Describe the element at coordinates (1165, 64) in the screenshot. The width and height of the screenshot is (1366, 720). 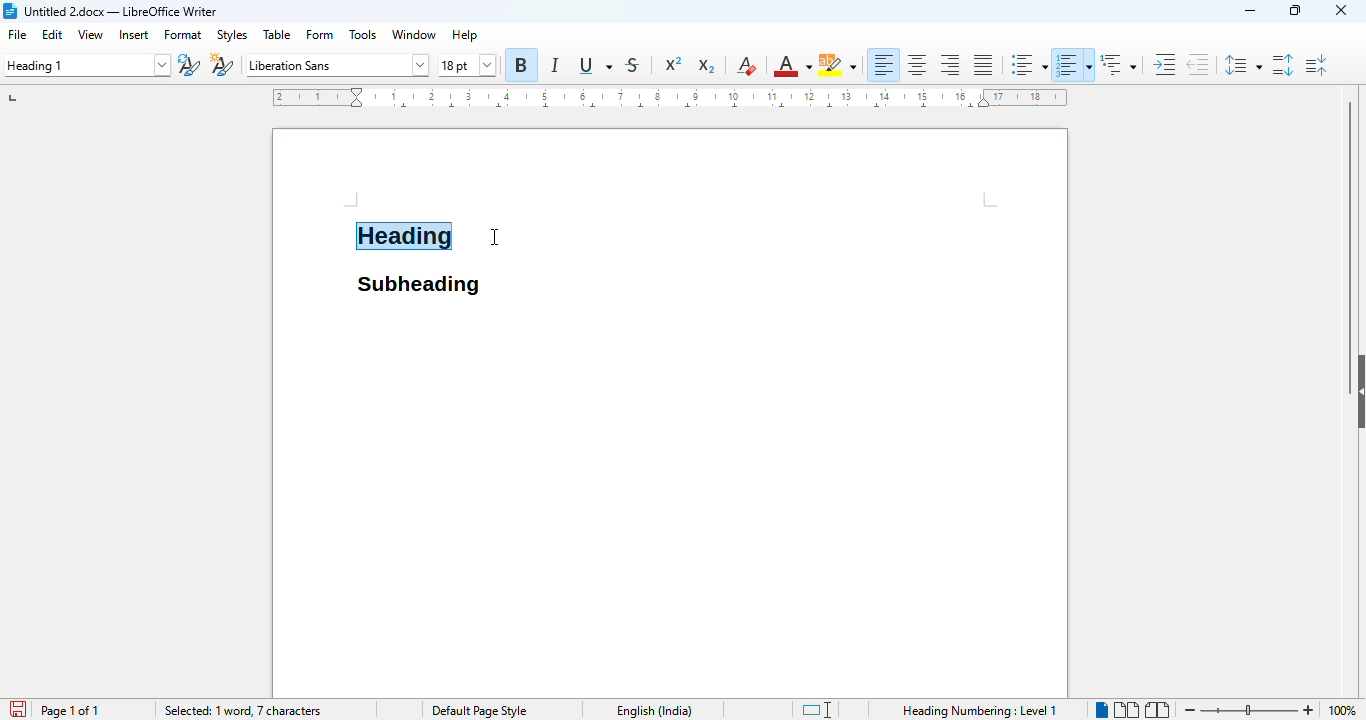
I see `increase indent` at that location.